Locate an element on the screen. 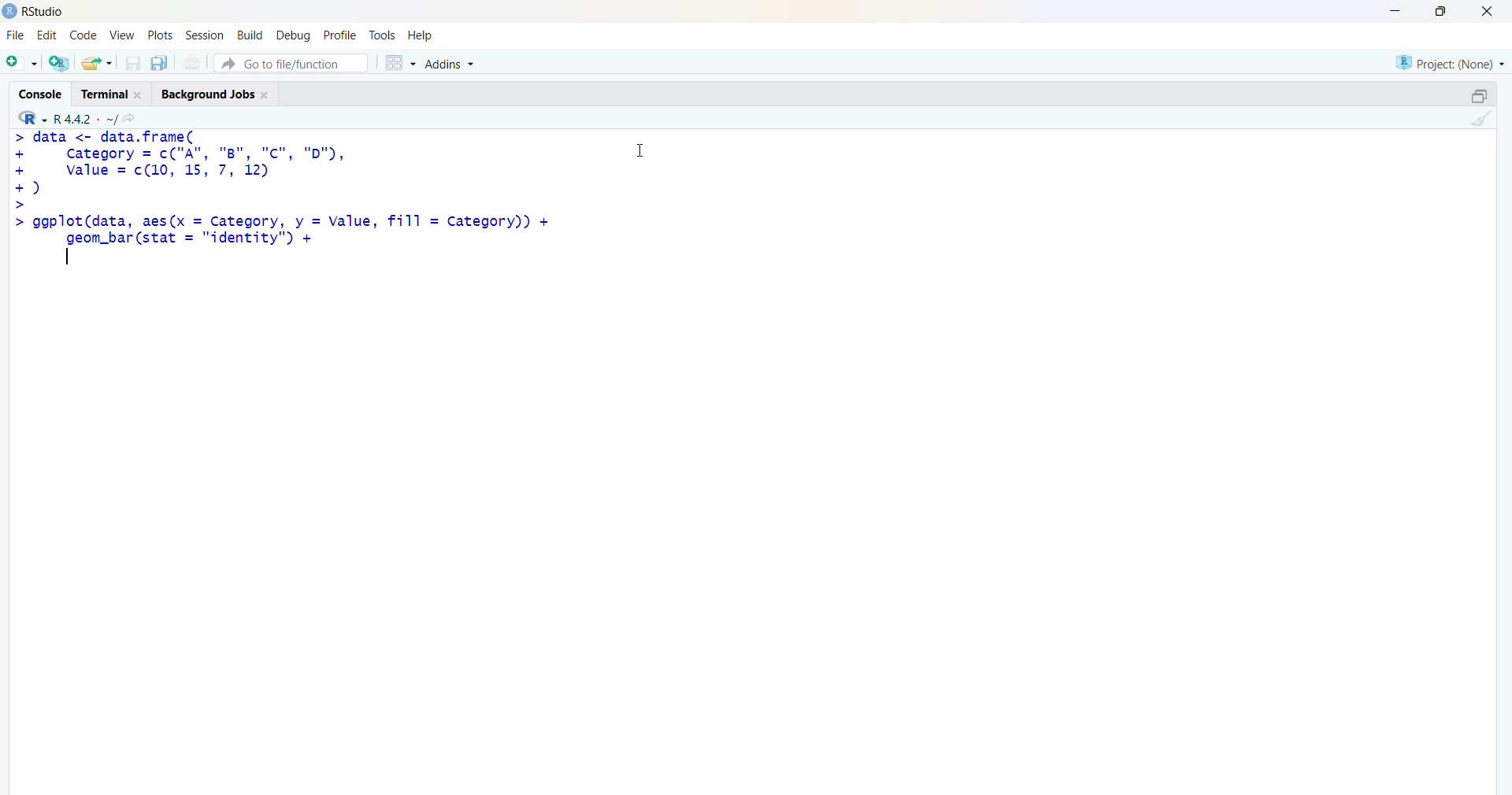 The height and width of the screenshot is (795, 1512). code - > data <- data.frame(+ category = c("A", "B", "Cc", "D"),+ value = c(10 12)© asic>> ggplot(data, aes(x = Category, y = Value, fill = category)) is located at coordinates (295, 190).